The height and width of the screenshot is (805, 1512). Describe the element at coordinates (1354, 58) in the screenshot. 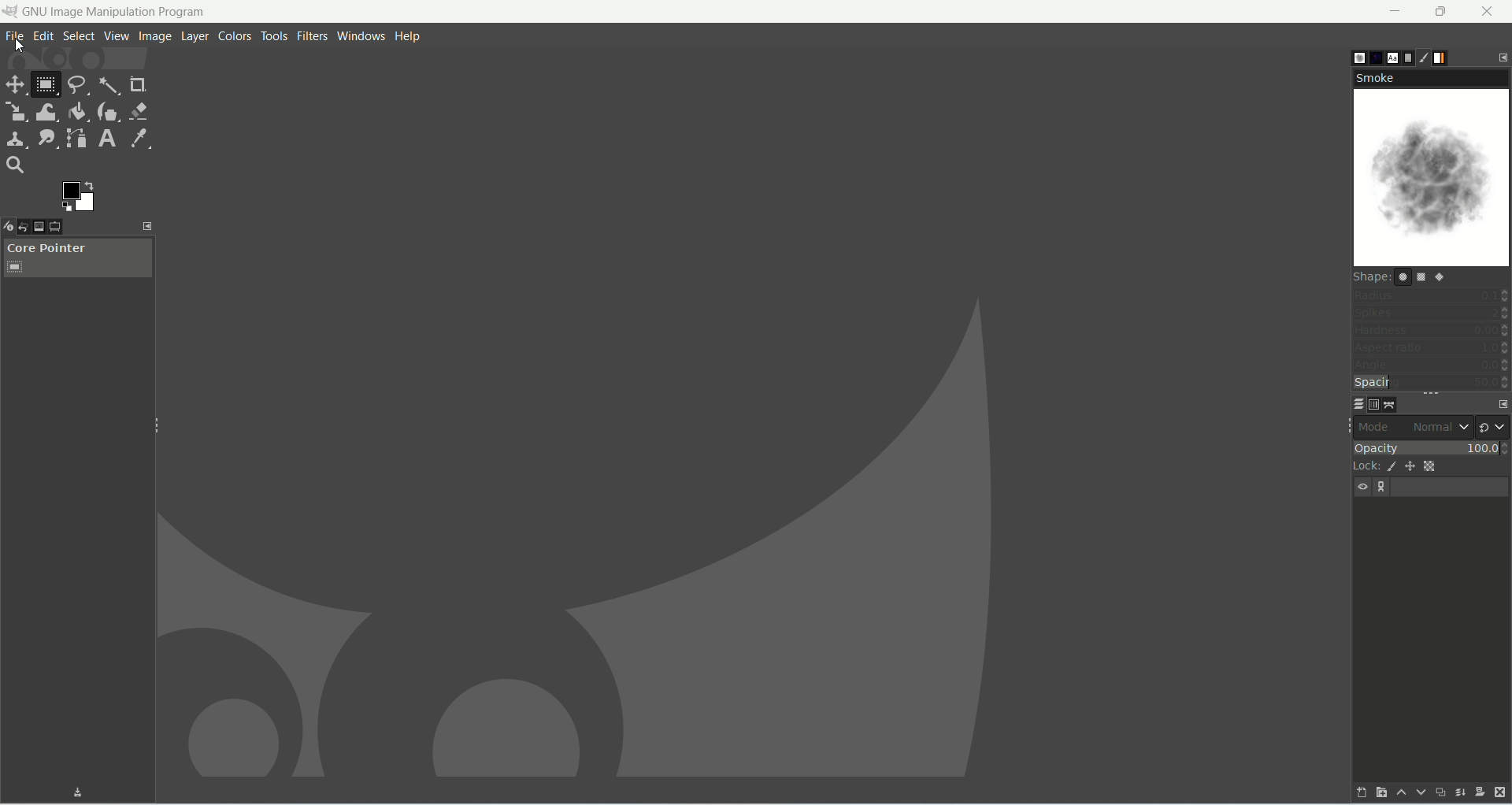

I see `brushes` at that location.